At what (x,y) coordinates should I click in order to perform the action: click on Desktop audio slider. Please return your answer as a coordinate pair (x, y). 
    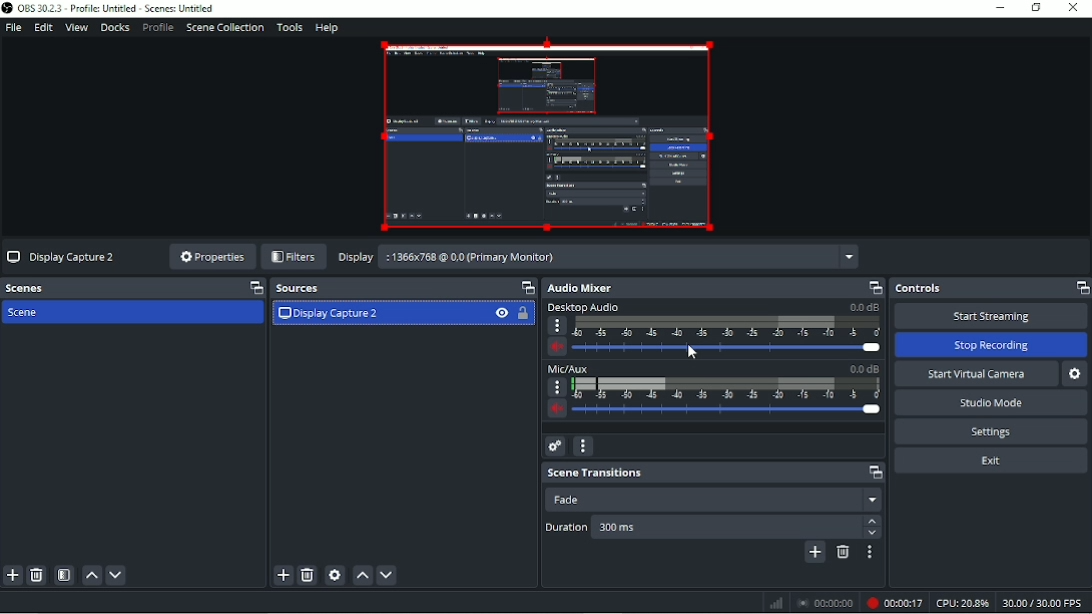
    Looking at the image, I should click on (714, 331).